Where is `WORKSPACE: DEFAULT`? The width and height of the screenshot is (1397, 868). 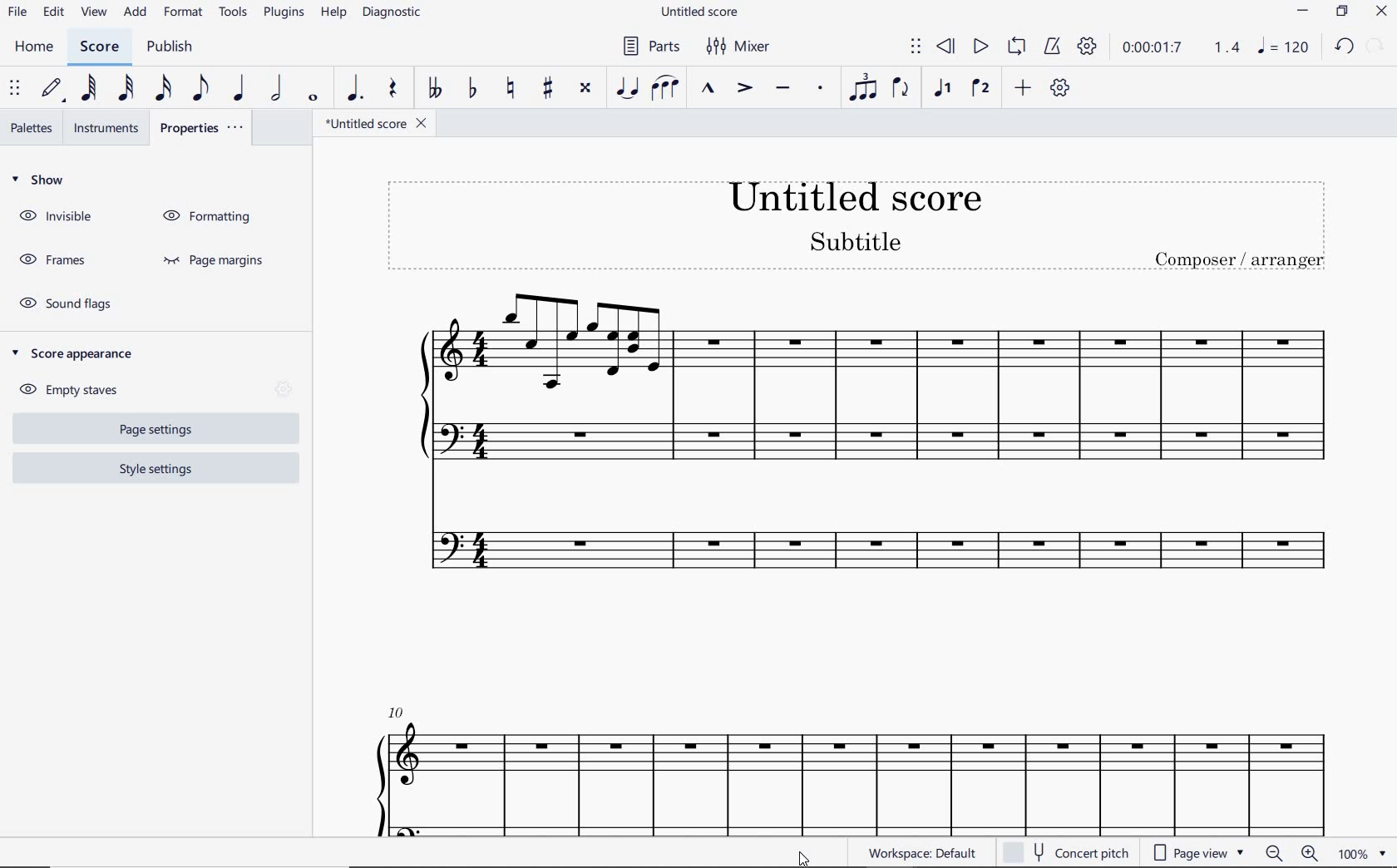
WORKSPACE: DEFAULT is located at coordinates (927, 853).